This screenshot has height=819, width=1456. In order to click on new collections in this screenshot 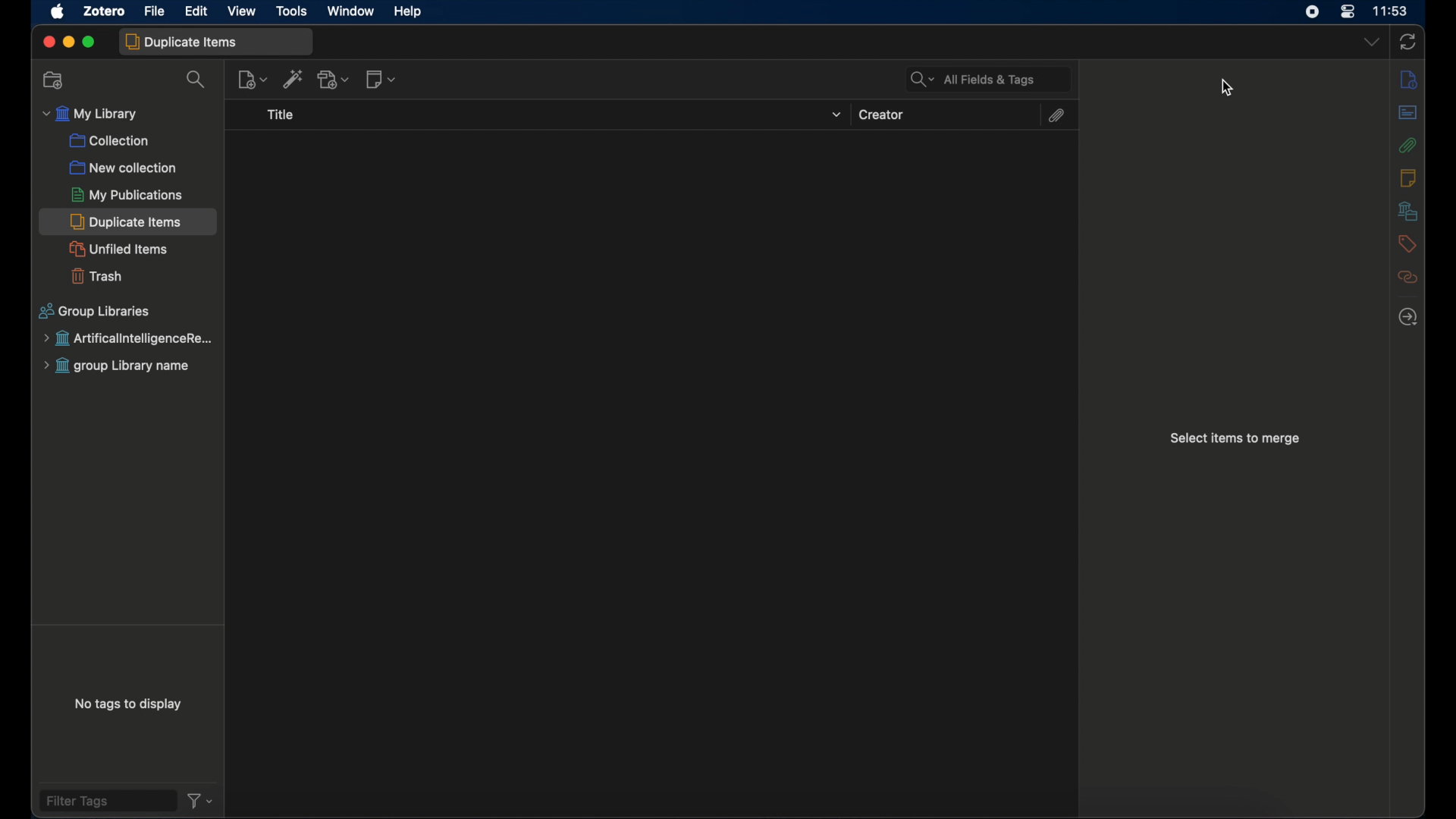, I will do `click(124, 167)`.